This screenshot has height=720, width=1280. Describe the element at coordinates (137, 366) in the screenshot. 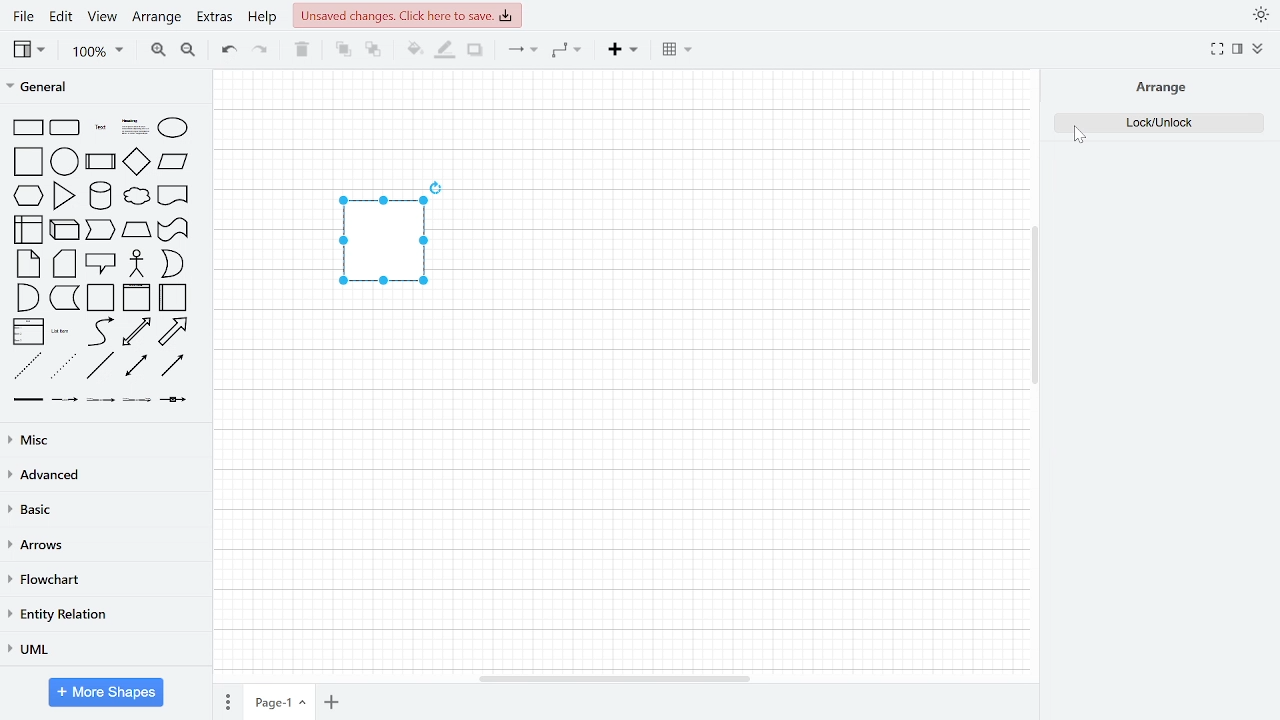

I see `bidirectional connector` at that location.